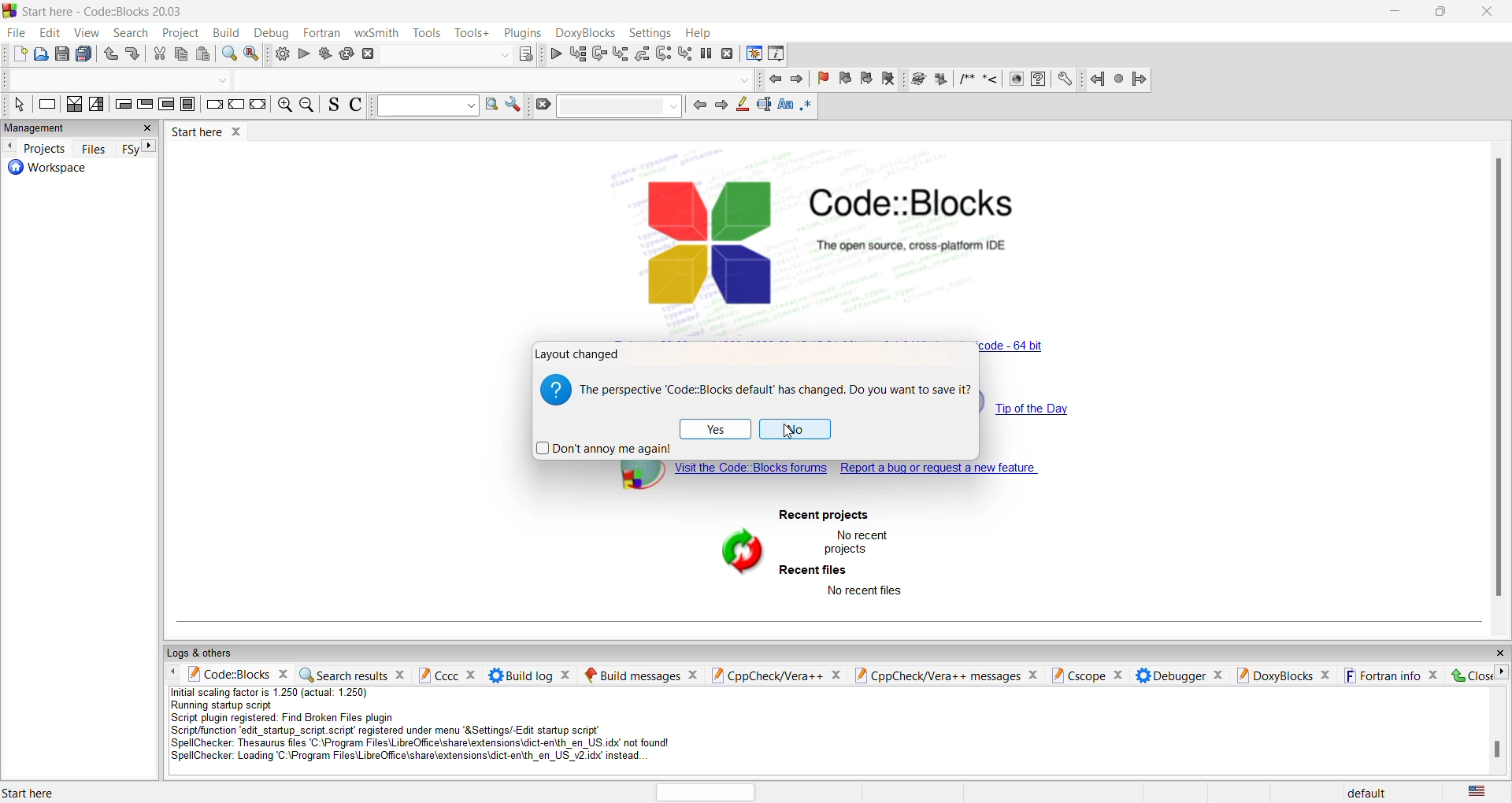  Describe the element at coordinates (776, 53) in the screenshot. I see `Various info` at that location.